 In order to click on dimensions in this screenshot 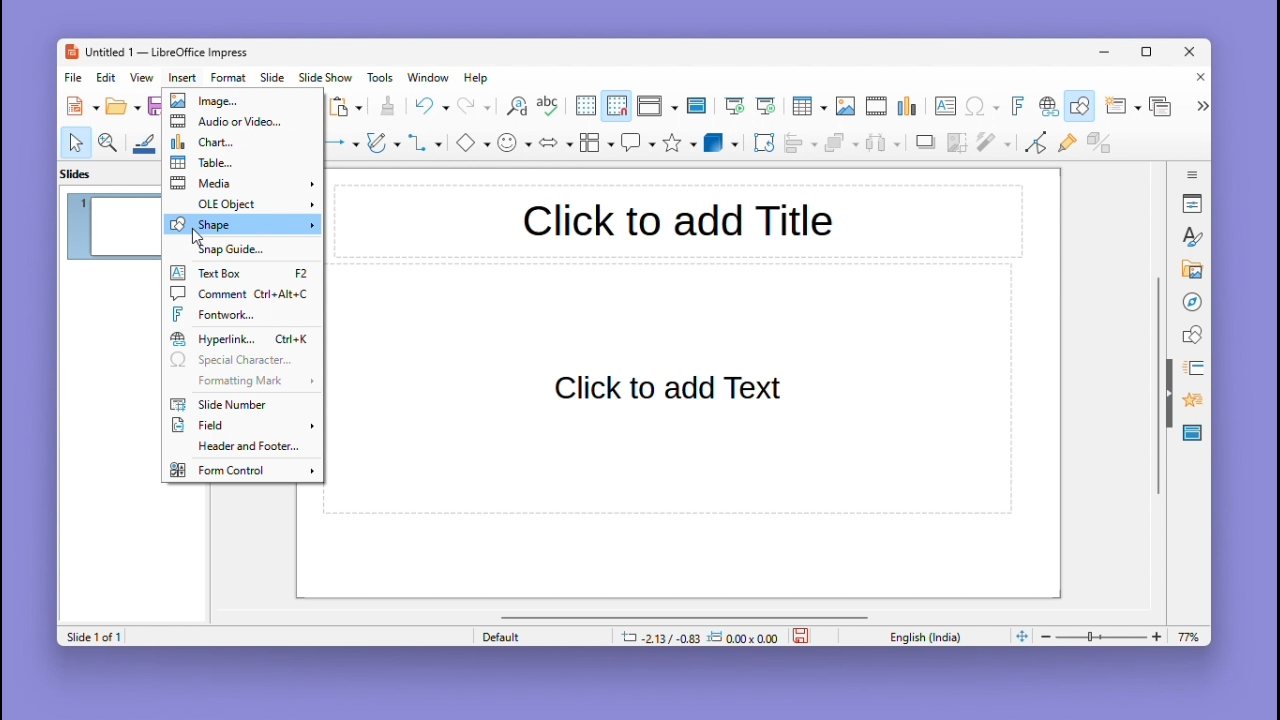, I will do `click(699, 636)`.